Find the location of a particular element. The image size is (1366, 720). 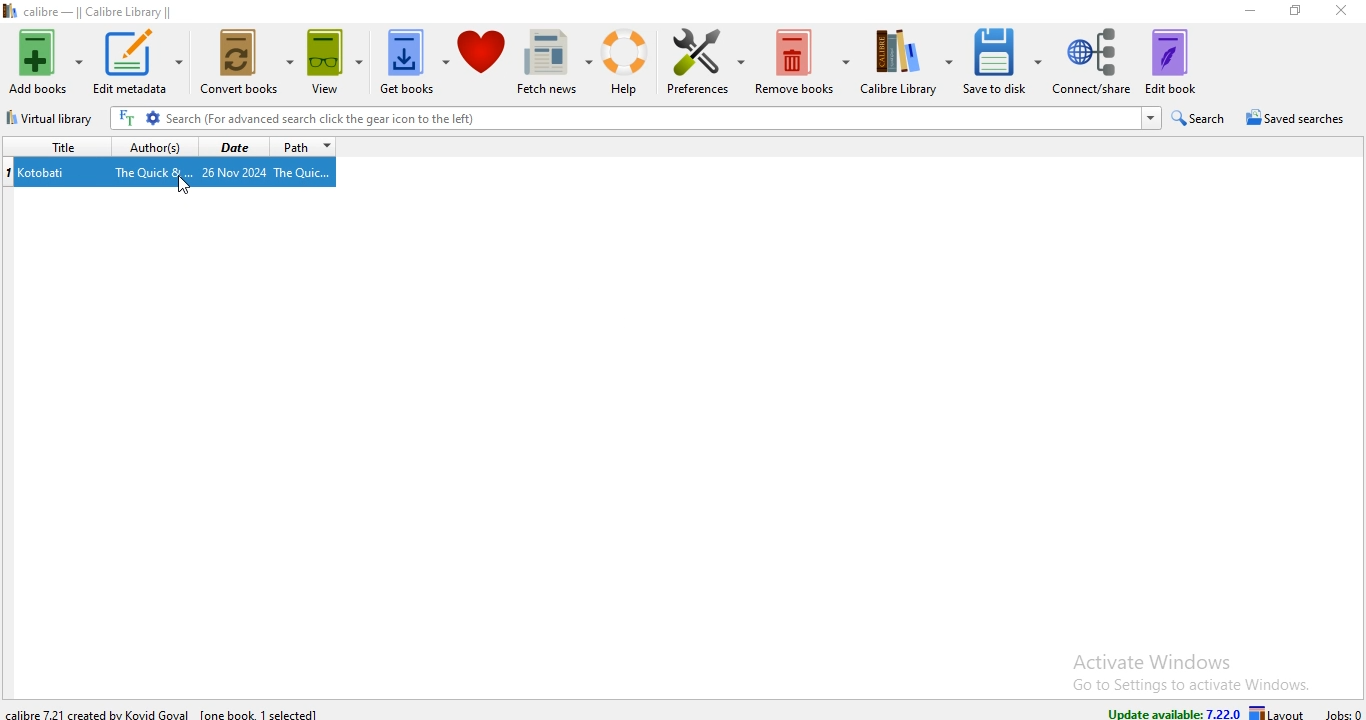

calibre 7.22.1 created by Kovid Goyal [one book 1 selected] is located at coordinates (167, 712).